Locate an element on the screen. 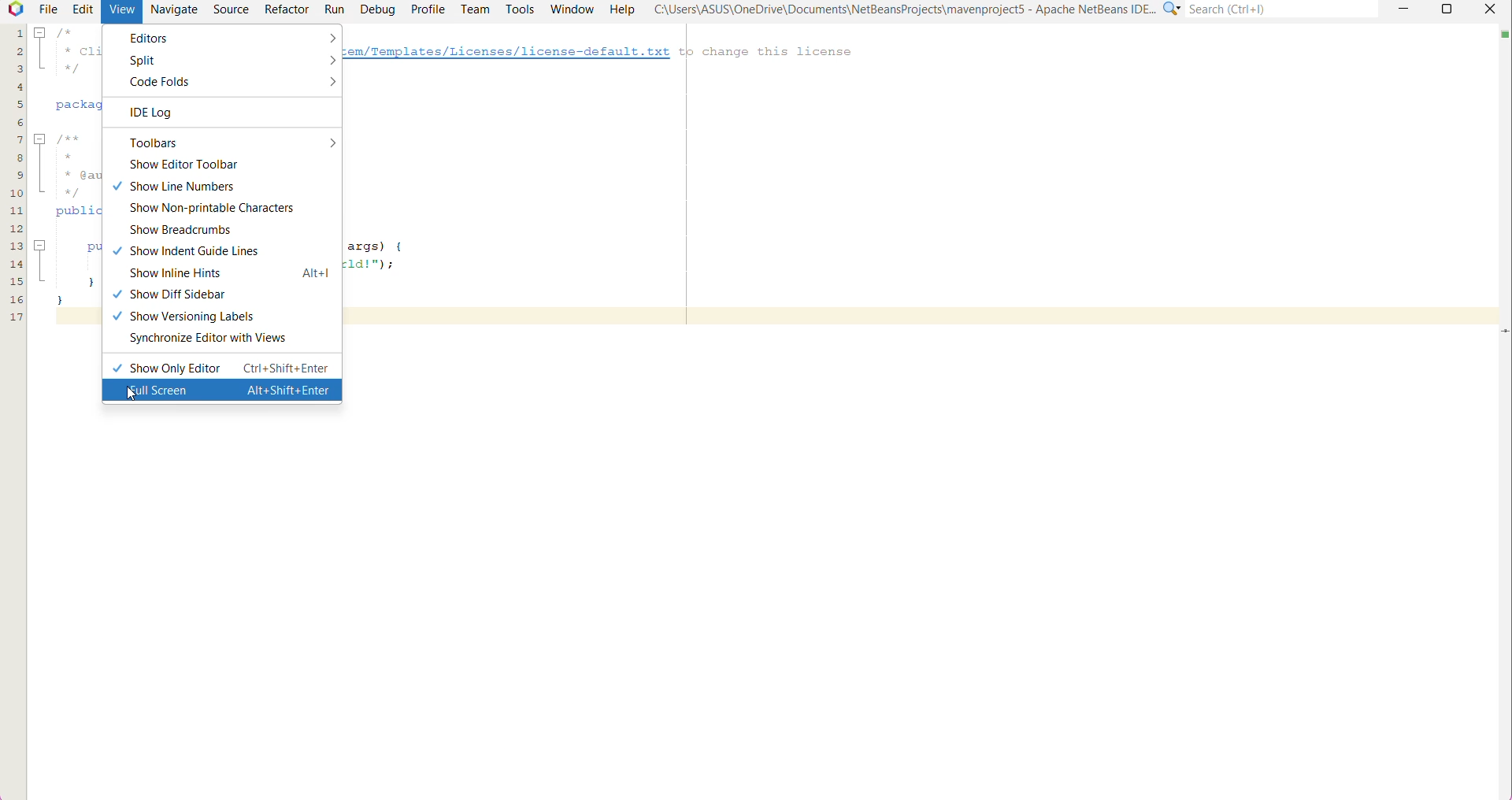  Show Non-printable Characters is located at coordinates (216, 209).